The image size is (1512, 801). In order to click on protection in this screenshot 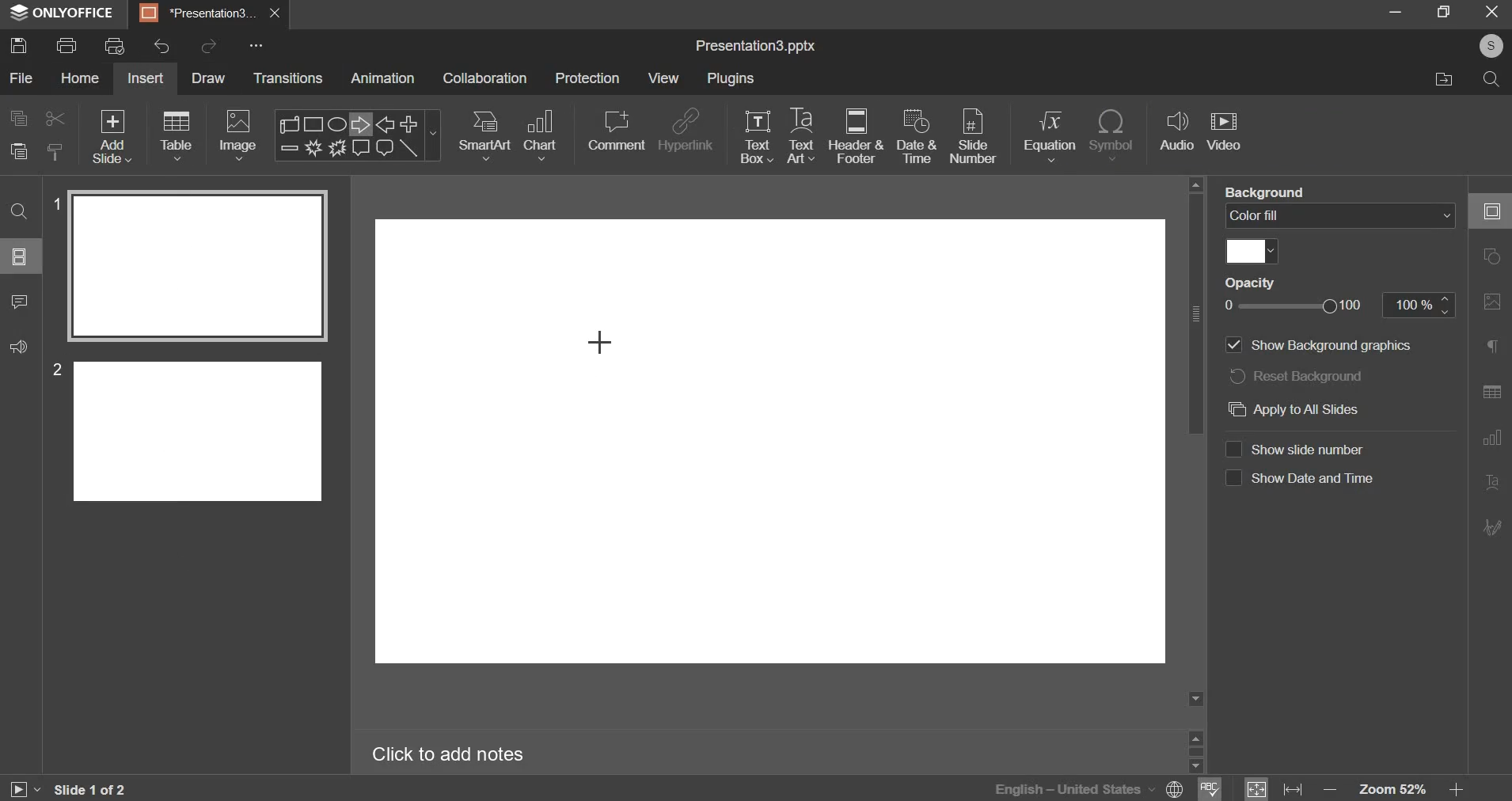, I will do `click(587, 78)`.